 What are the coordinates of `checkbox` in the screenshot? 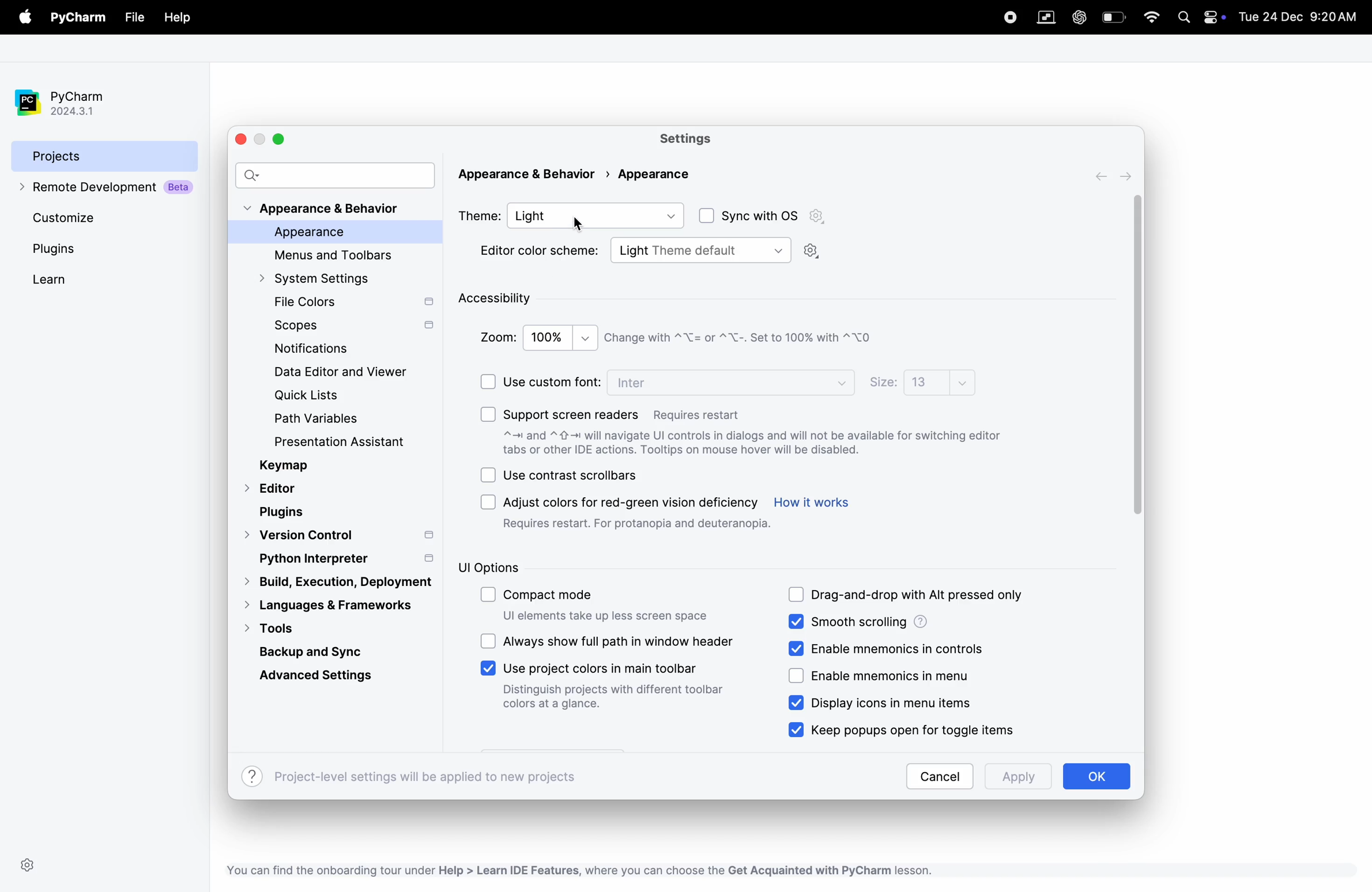 It's located at (797, 676).